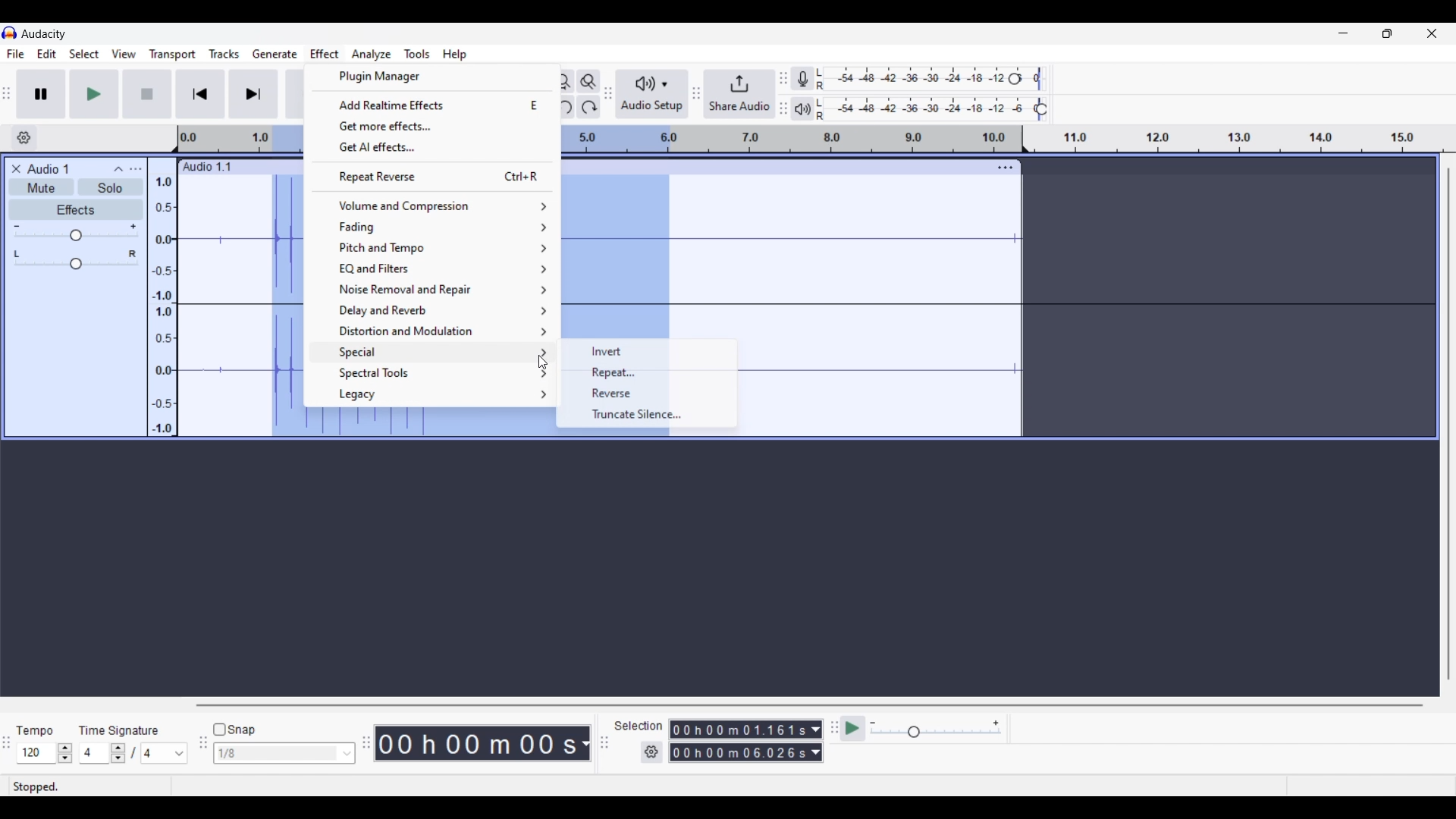 This screenshot has width=1456, height=819. I want to click on Mute, so click(41, 187).